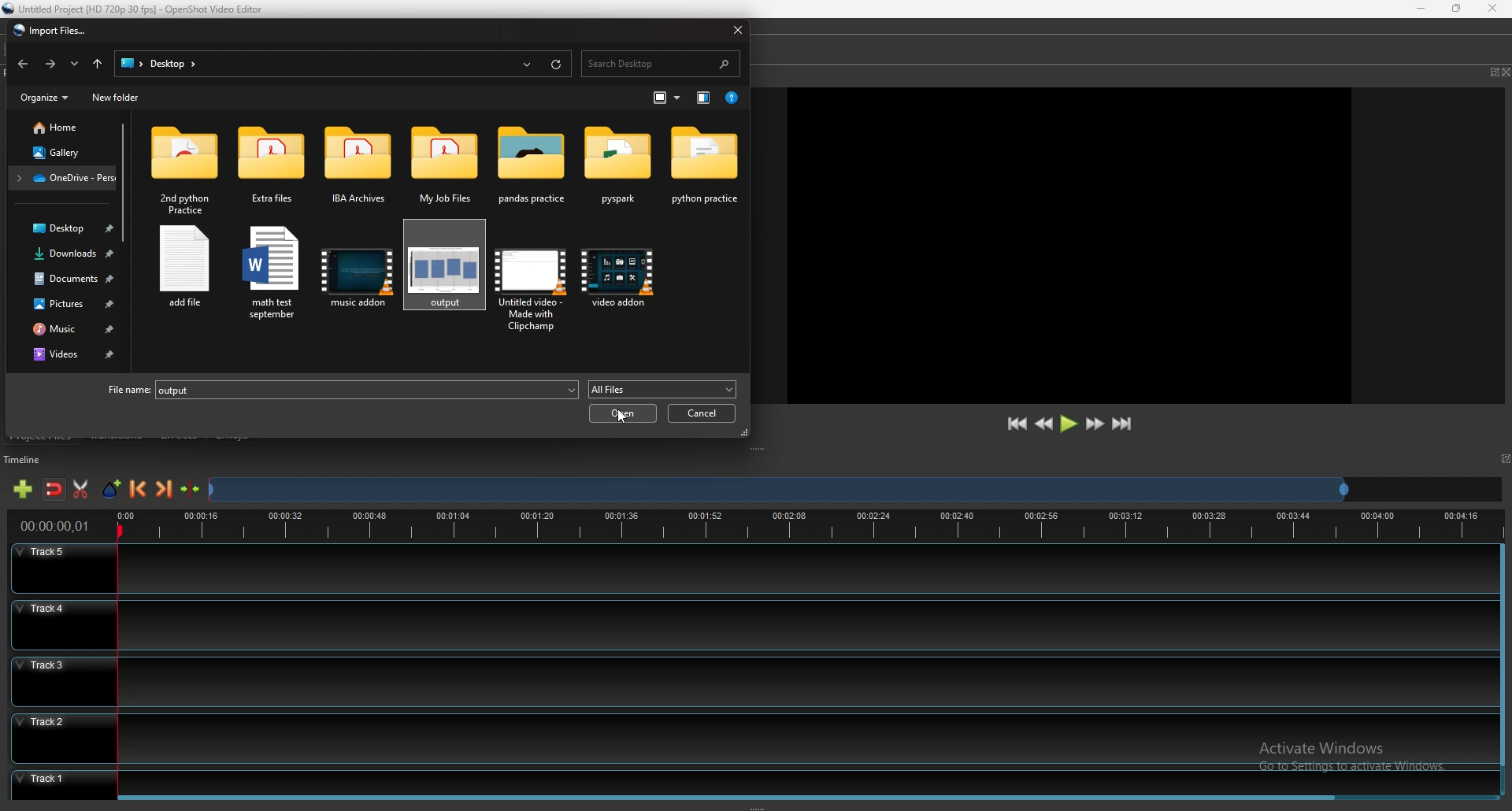 This screenshot has height=811, width=1512. Describe the element at coordinates (747, 780) in the screenshot. I see `track 1` at that location.